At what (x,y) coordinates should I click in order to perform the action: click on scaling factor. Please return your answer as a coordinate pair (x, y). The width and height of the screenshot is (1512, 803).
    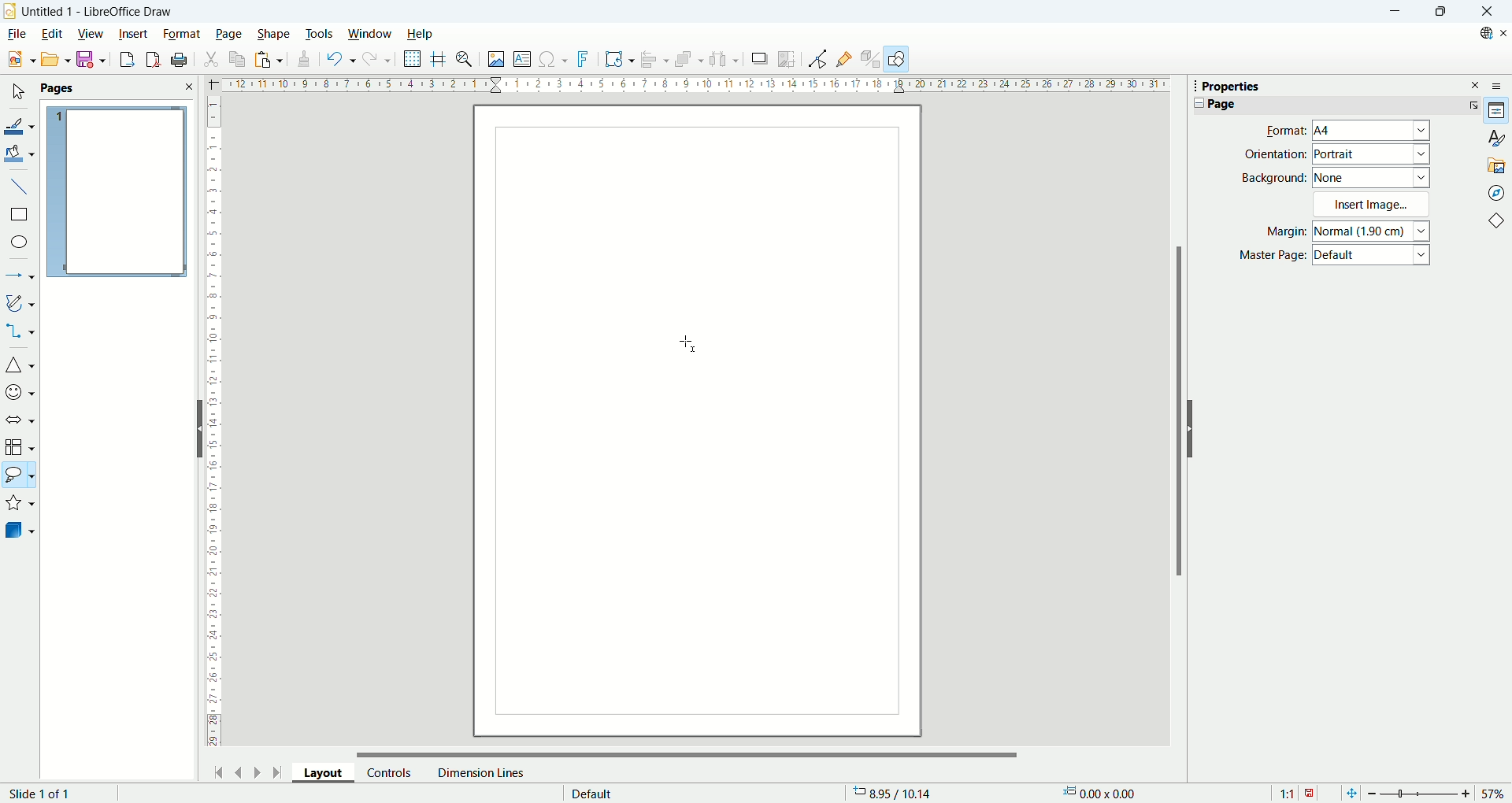
    Looking at the image, I should click on (1296, 792).